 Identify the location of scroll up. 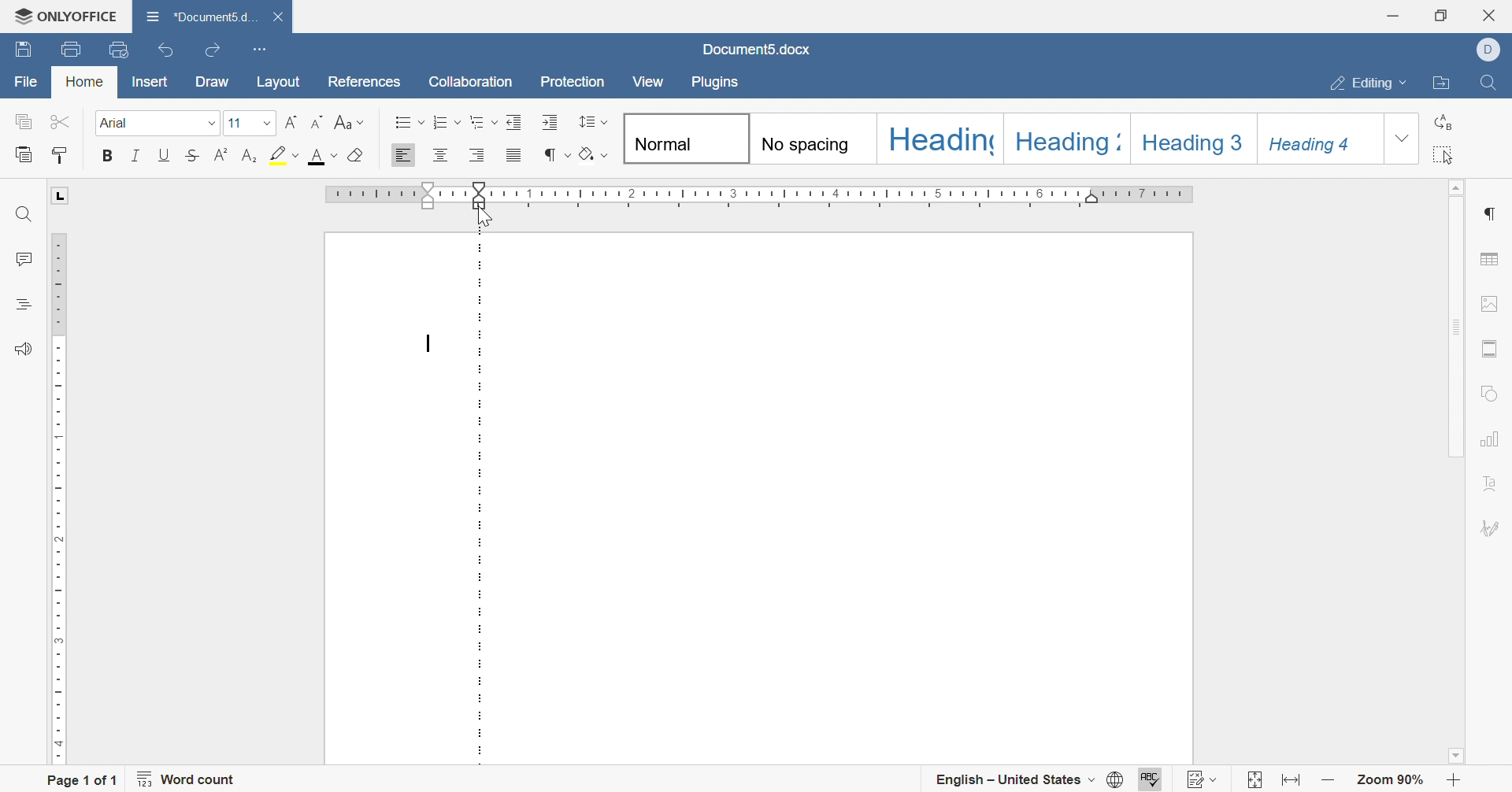
(1459, 185).